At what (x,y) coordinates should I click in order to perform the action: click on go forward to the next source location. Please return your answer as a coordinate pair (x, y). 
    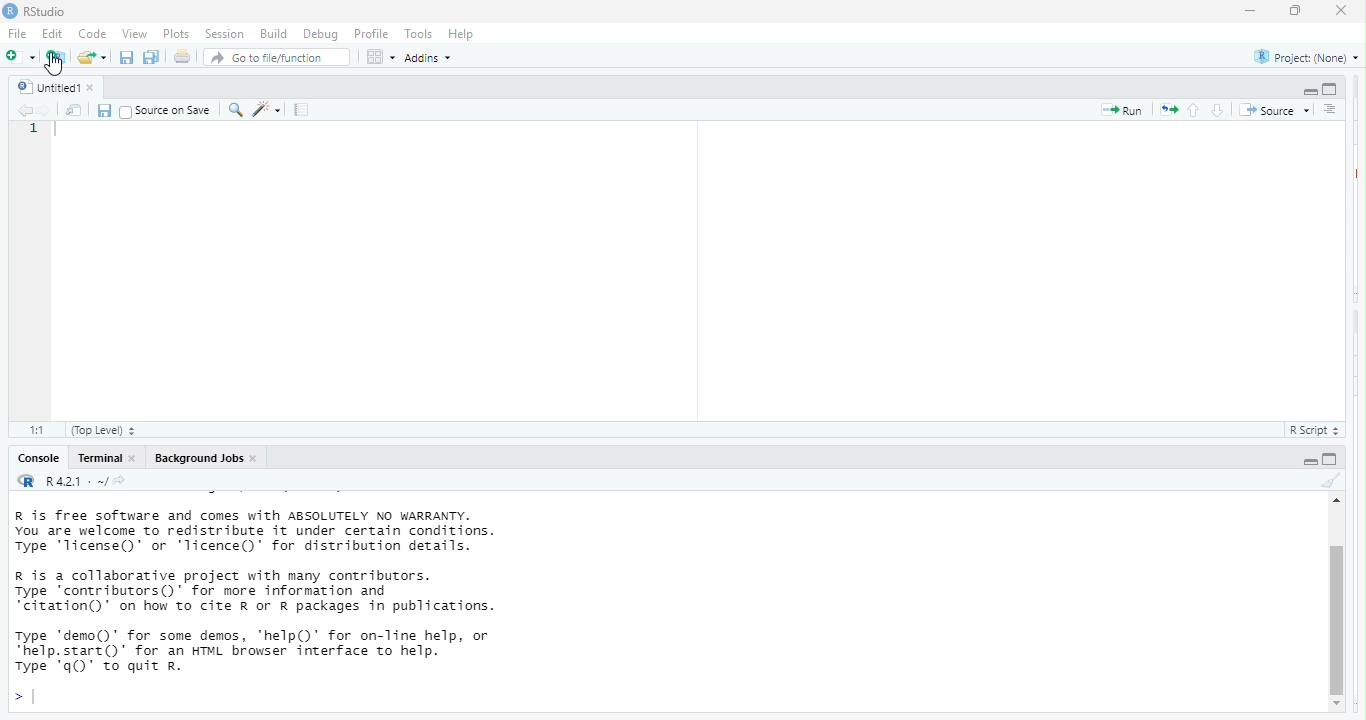
    Looking at the image, I should click on (45, 109).